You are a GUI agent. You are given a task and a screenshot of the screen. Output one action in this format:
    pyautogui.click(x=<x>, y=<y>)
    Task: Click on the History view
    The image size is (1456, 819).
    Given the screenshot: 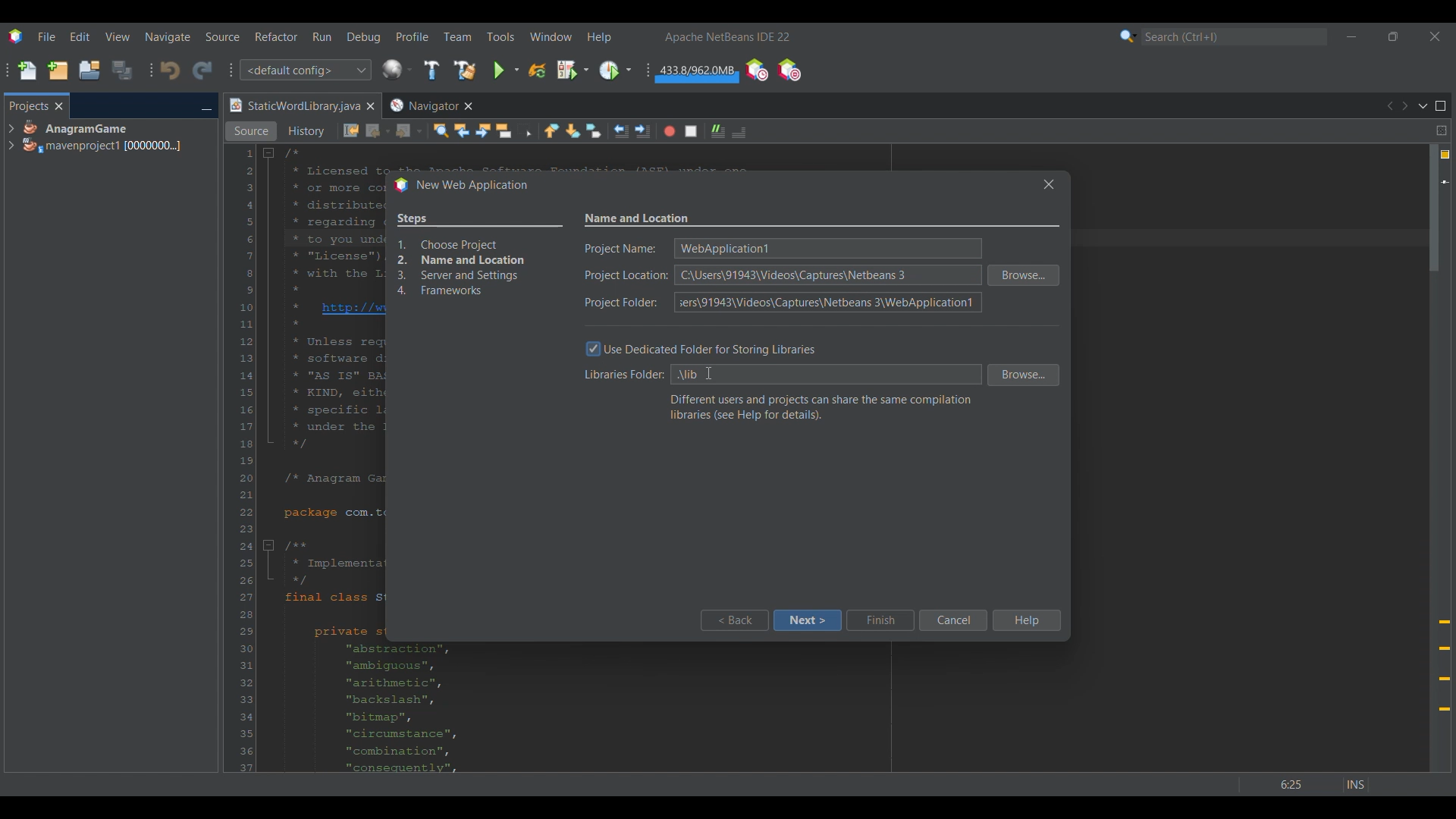 What is the action you would take?
    pyautogui.click(x=308, y=131)
    